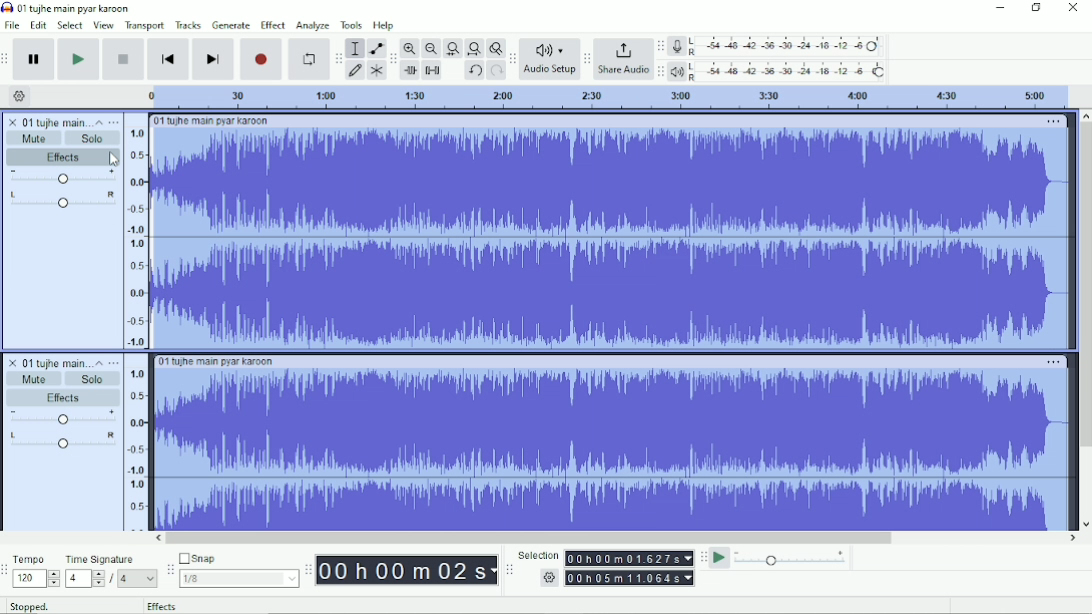 The height and width of the screenshot is (614, 1092). What do you see at coordinates (720, 558) in the screenshot?
I see `Play-at-speed` at bounding box center [720, 558].